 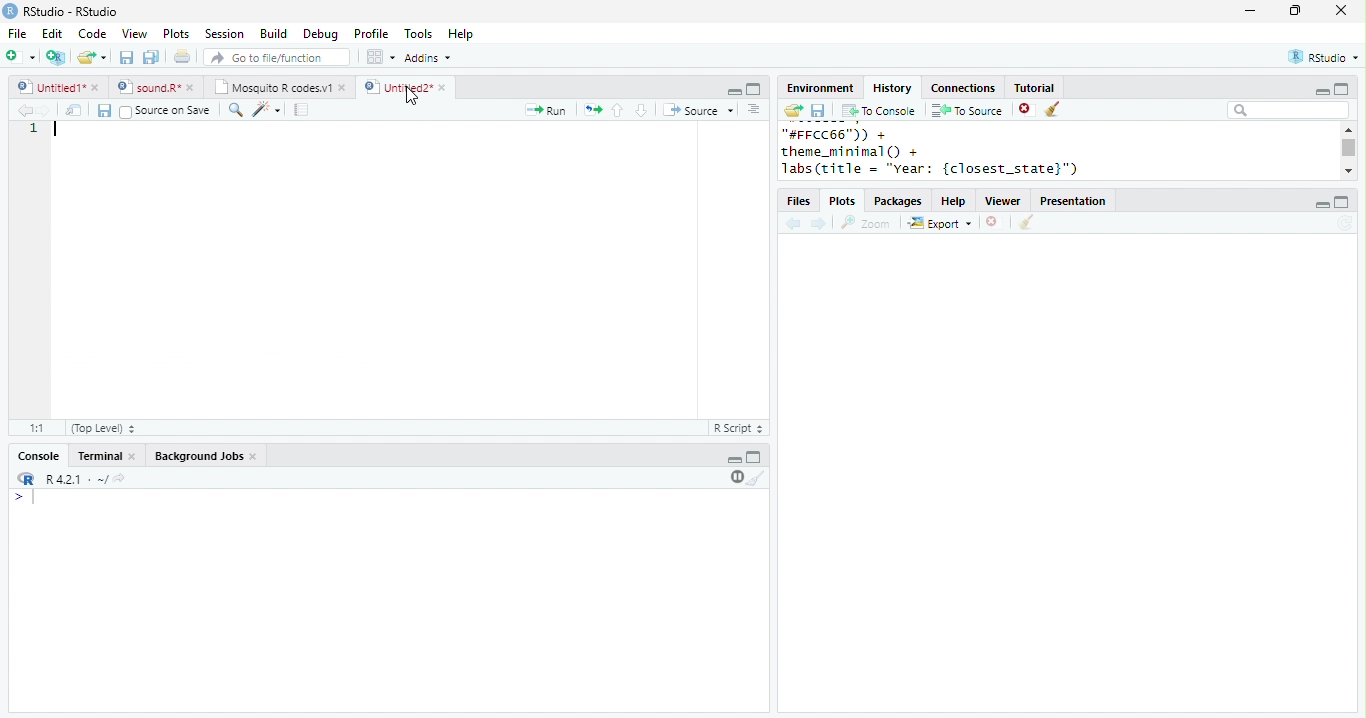 I want to click on compile report, so click(x=302, y=109).